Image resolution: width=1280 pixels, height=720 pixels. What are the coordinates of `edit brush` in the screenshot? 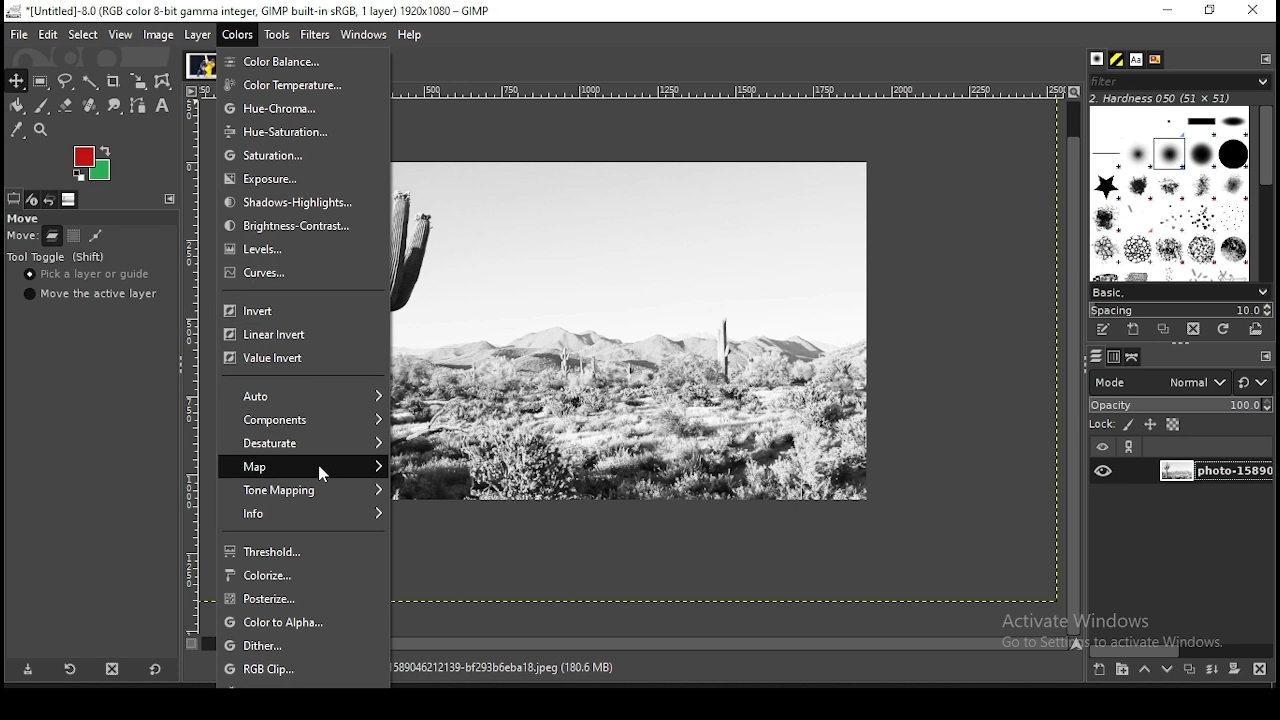 It's located at (1105, 330).